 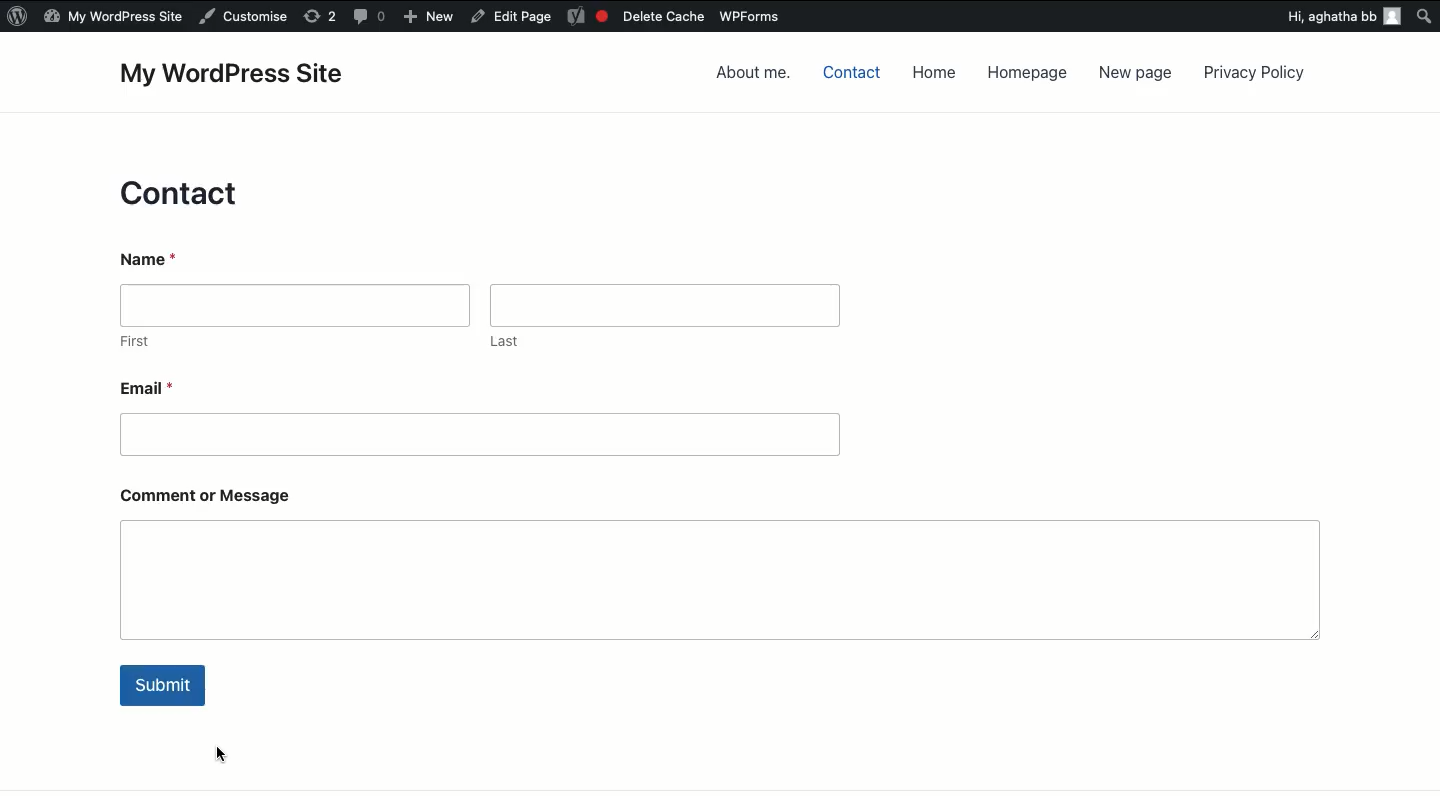 I want to click on My WordPress Site, so click(x=113, y=18).